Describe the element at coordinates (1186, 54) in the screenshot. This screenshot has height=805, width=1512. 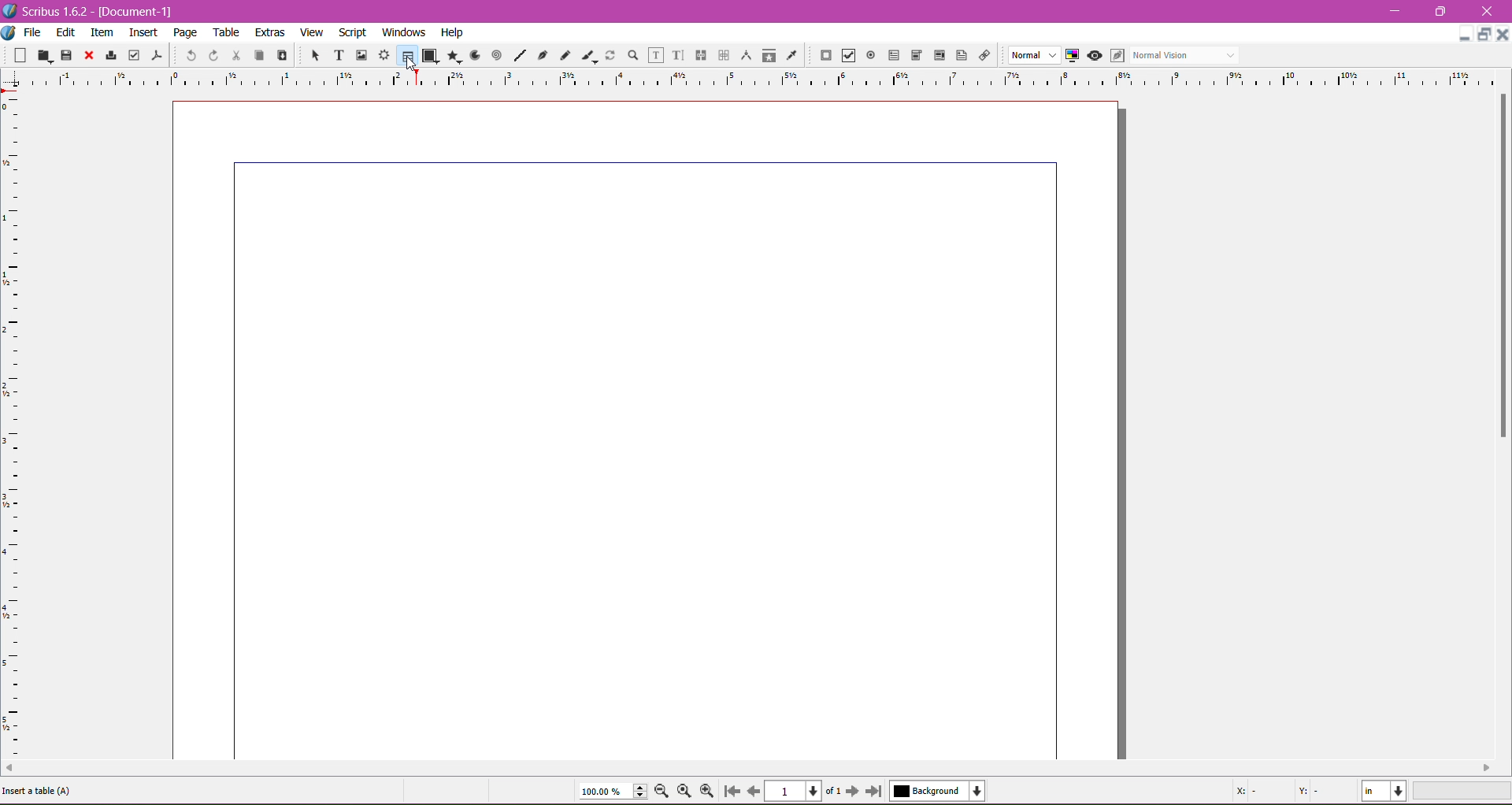
I see `Normal   Vision` at that location.